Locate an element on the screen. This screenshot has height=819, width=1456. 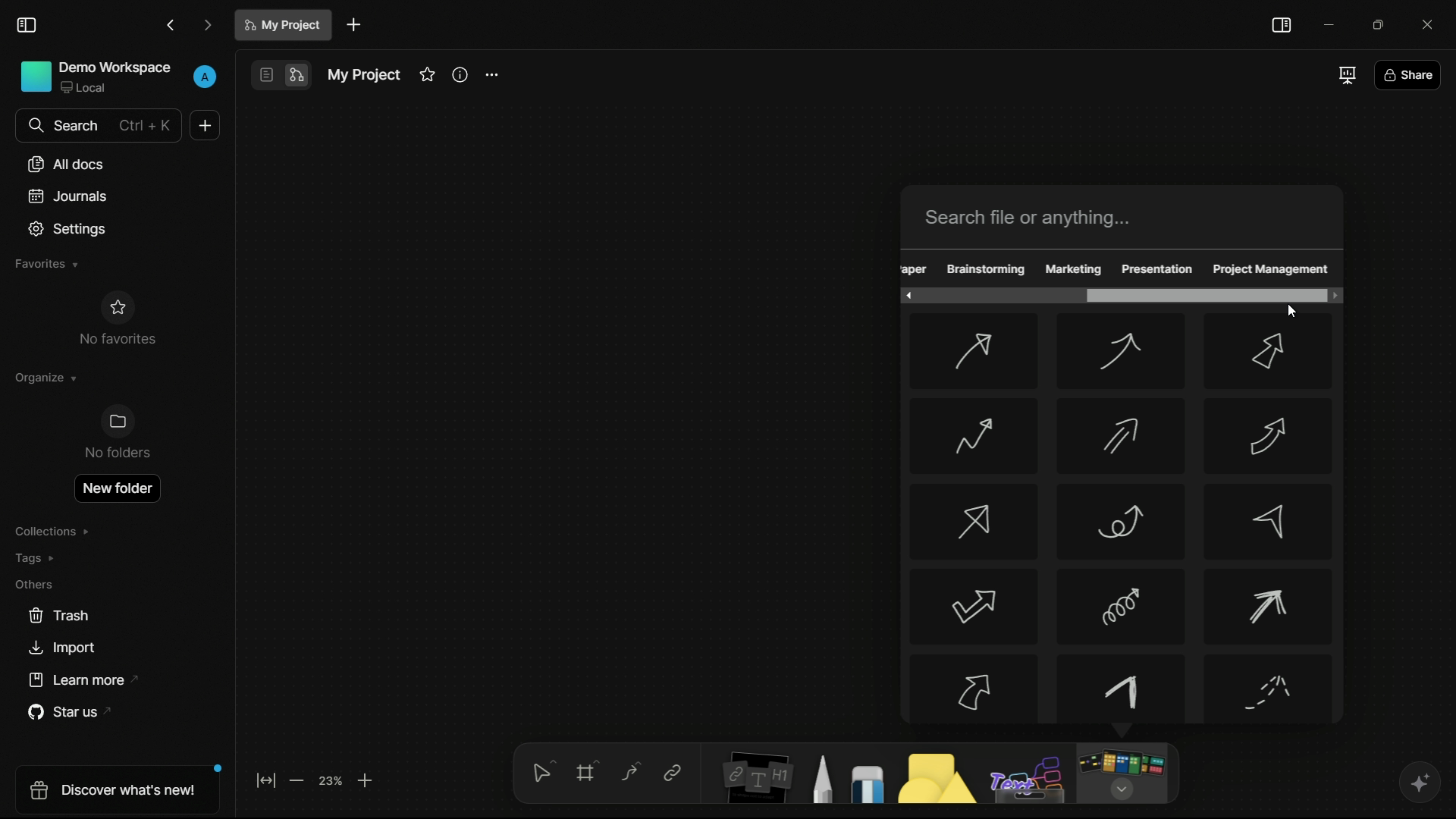
all documents is located at coordinates (67, 164).